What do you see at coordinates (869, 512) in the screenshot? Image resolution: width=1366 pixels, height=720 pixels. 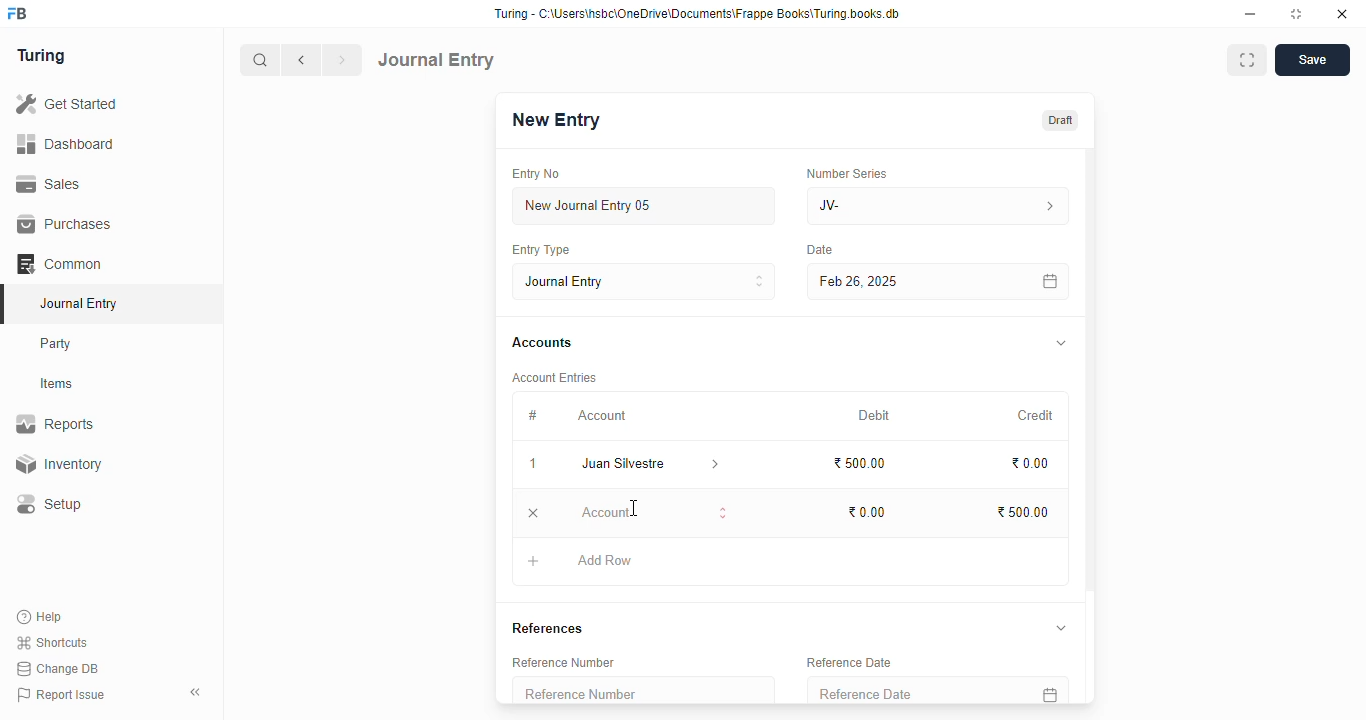 I see `₹0.00` at bounding box center [869, 512].